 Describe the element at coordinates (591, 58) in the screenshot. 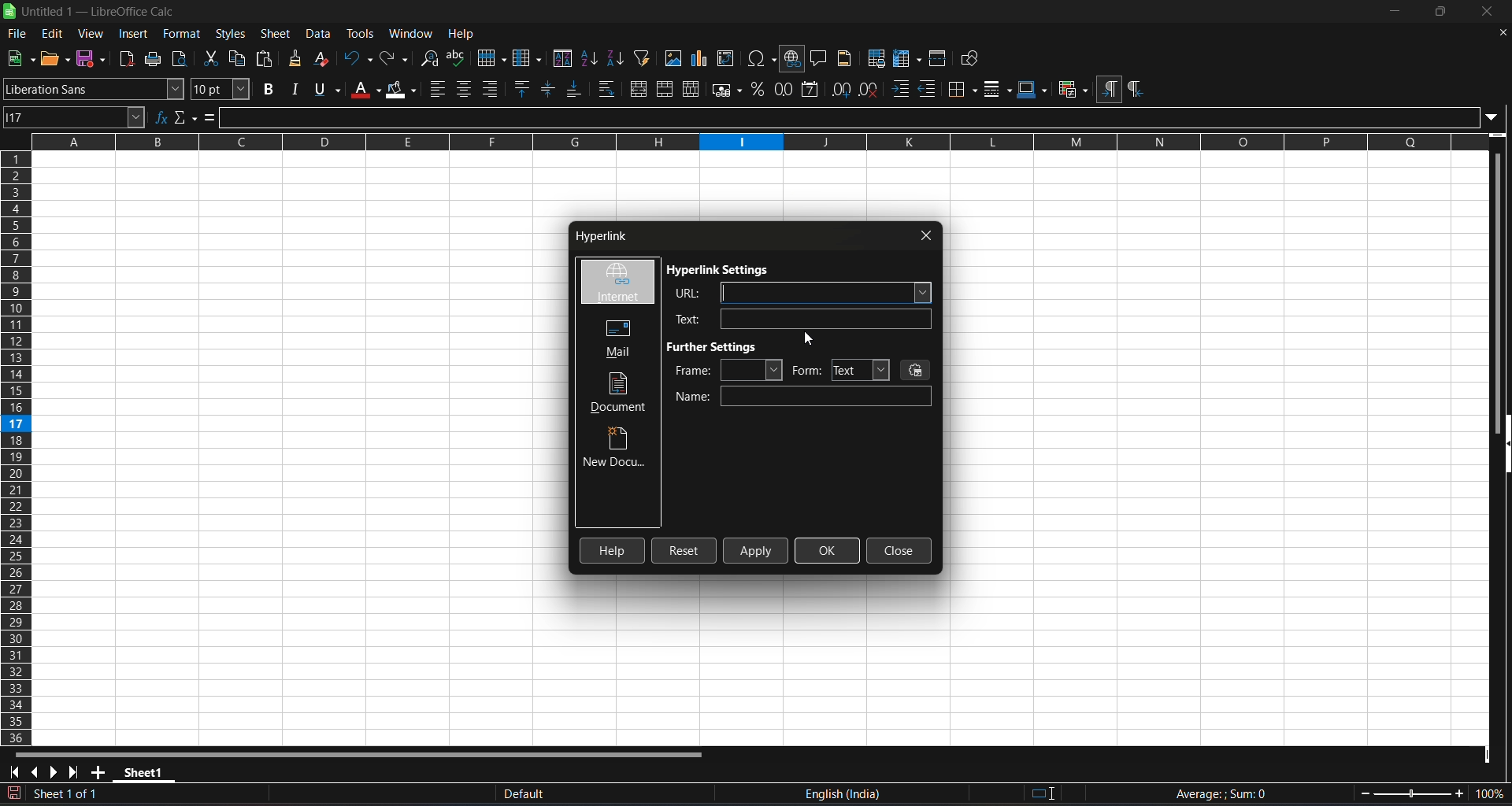

I see `sort ascending` at that location.